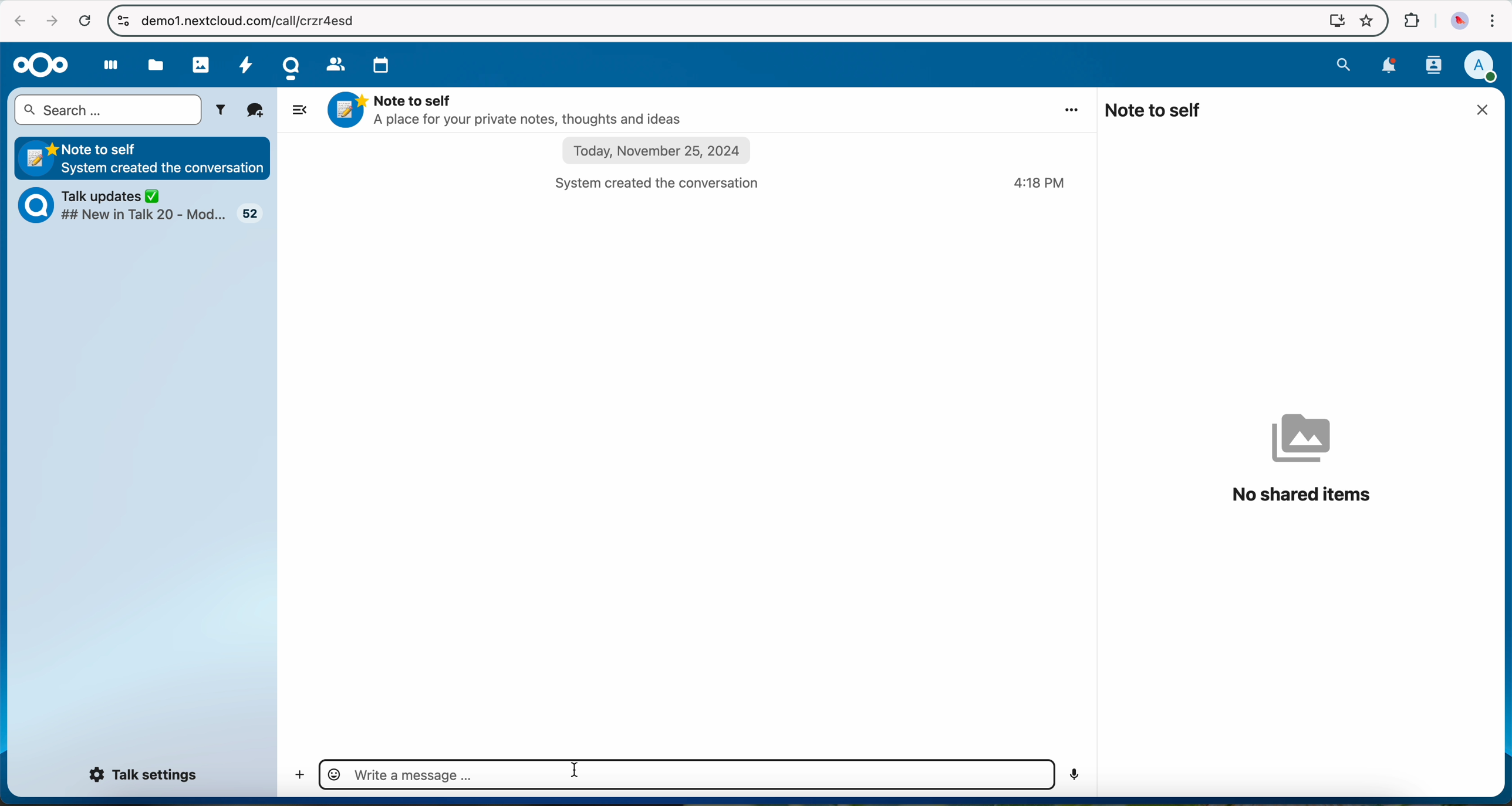 This screenshot has width=1512, height=806. I want to click on user profile, so click(1486, 66).